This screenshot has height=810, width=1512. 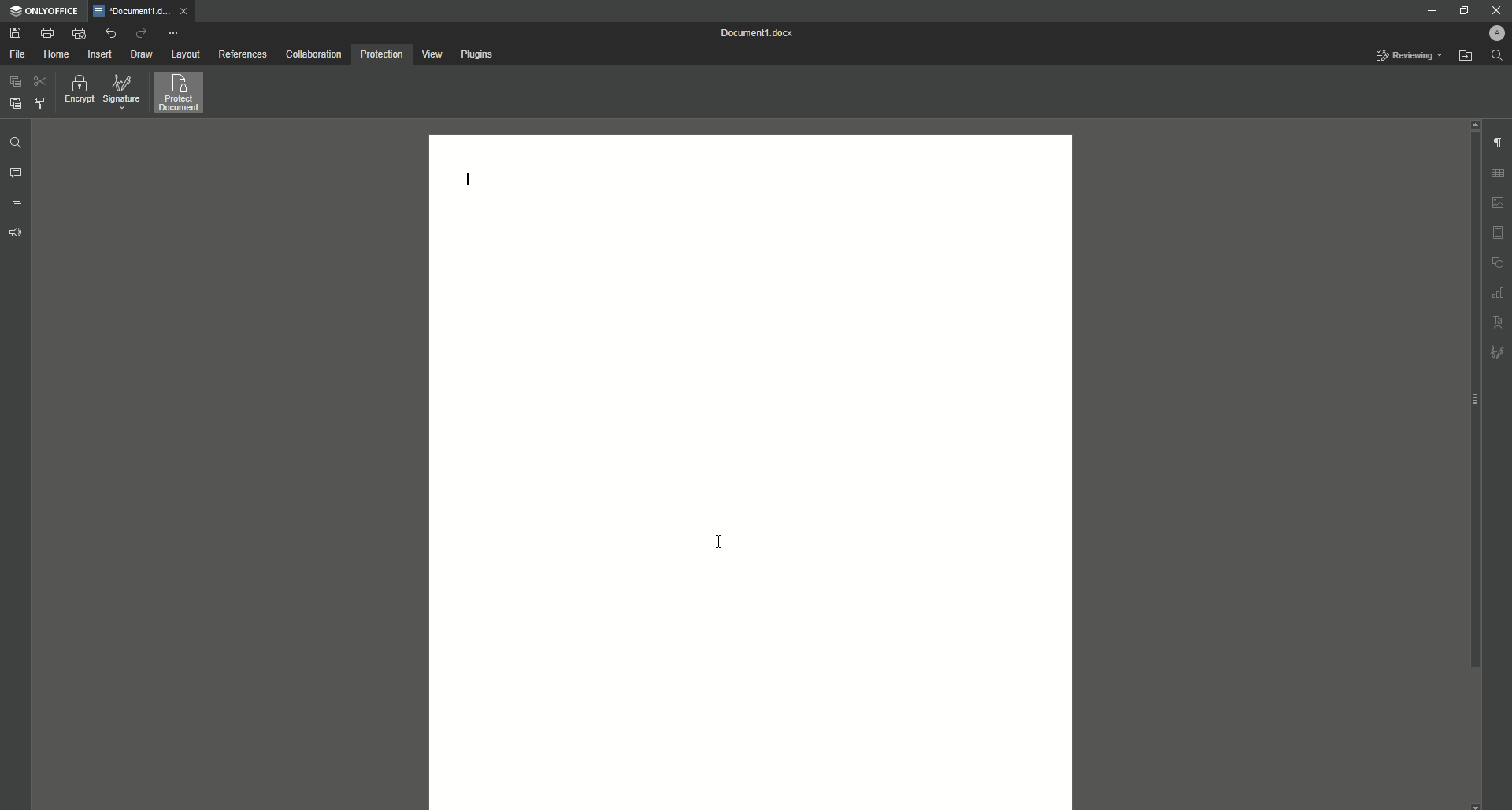 I want to click on Layout, so click(x=183, y=54).